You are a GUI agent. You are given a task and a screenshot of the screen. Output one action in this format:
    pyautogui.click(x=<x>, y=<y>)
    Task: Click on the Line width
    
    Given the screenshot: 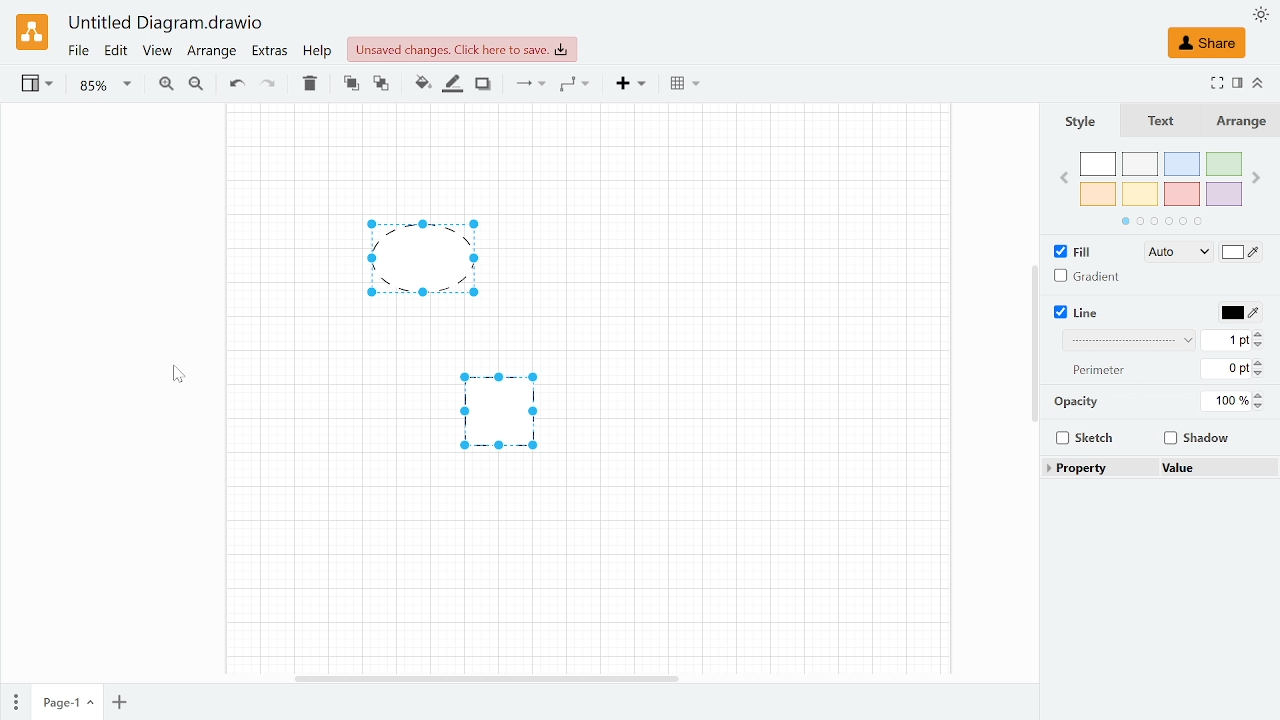 What is the action you would take?
    pyautogui.click(x=1225, y=340)
    